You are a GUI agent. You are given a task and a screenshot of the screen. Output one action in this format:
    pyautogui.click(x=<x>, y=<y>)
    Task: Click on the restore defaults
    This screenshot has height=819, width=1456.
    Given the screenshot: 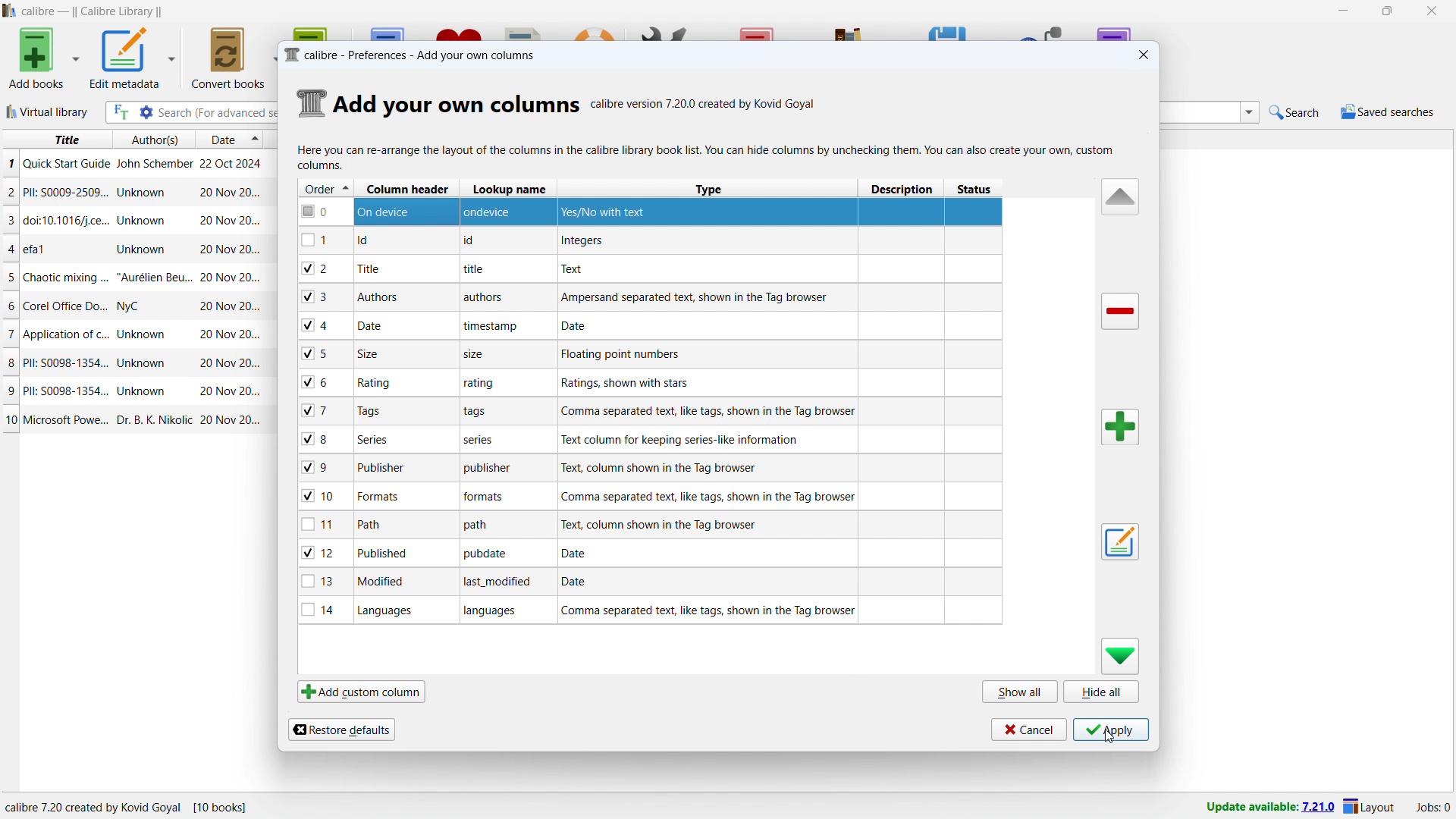 What is the action you would take?
    pyautogui.click(x=340, y=730)
    